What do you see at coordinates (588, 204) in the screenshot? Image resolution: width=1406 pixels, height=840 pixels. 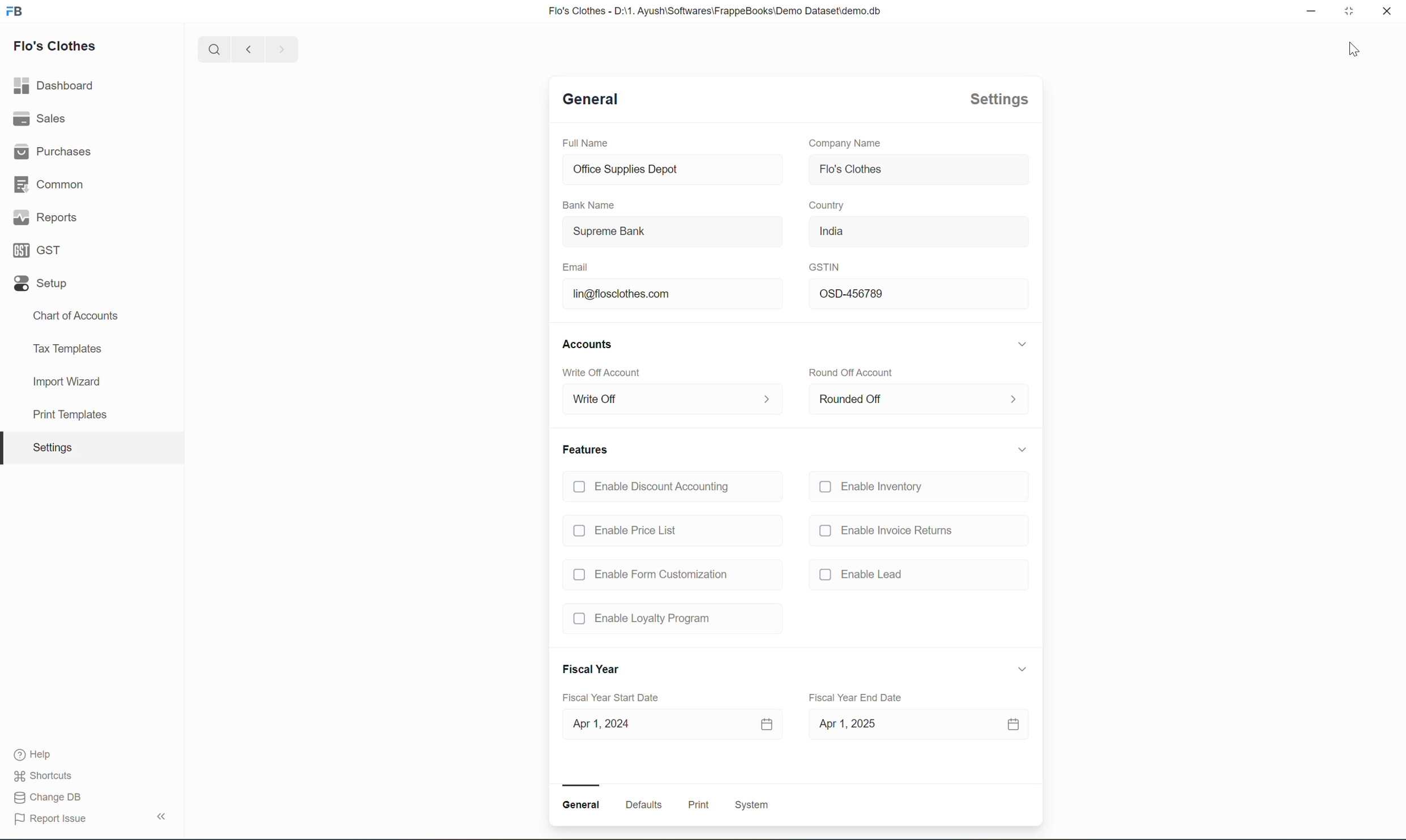 I see `Bank Name` at bounding box center [588, 204].